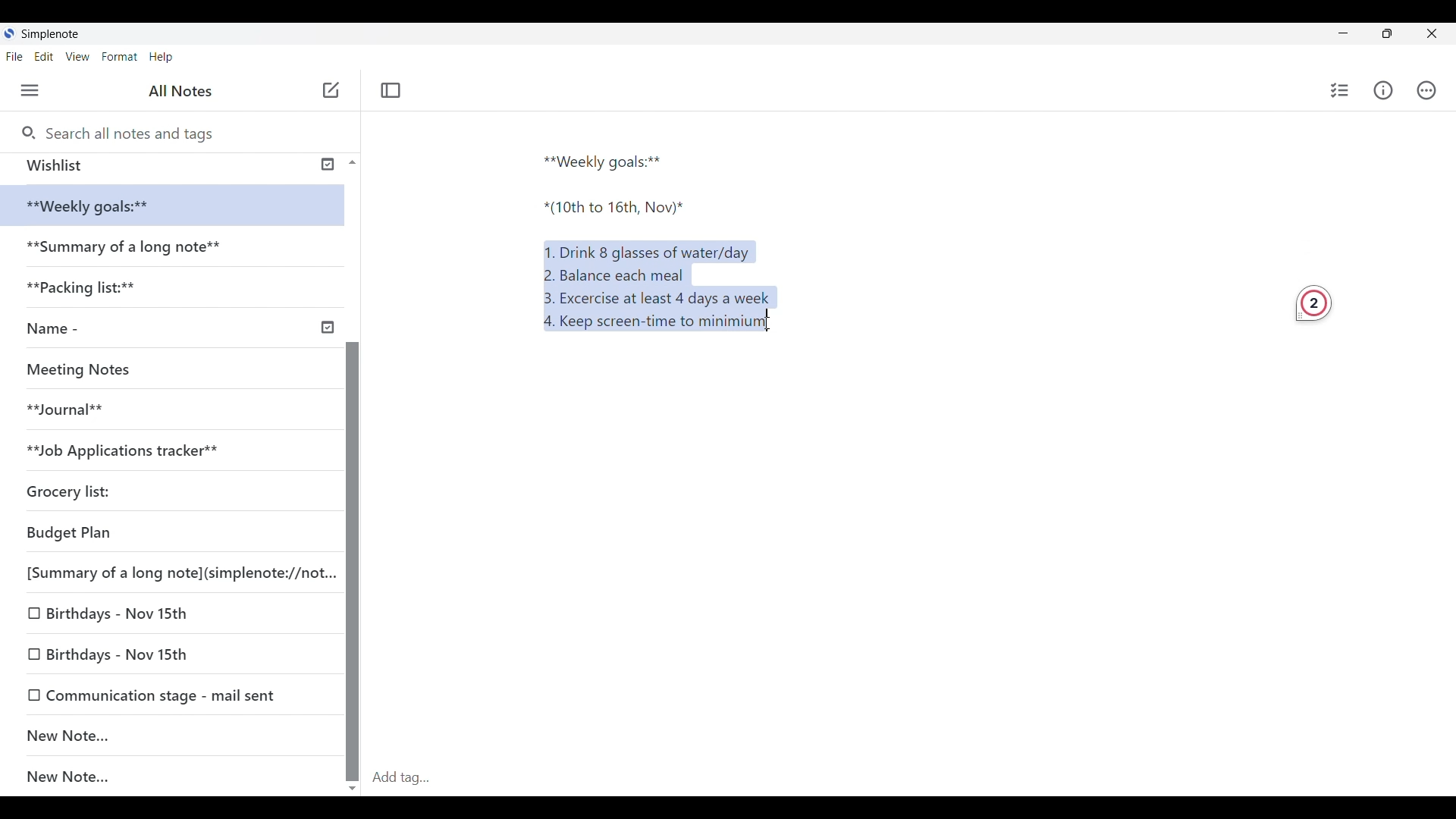 This screenshot has width=1456, height=819. I want to click on Budget Plan, so click(143, 529).